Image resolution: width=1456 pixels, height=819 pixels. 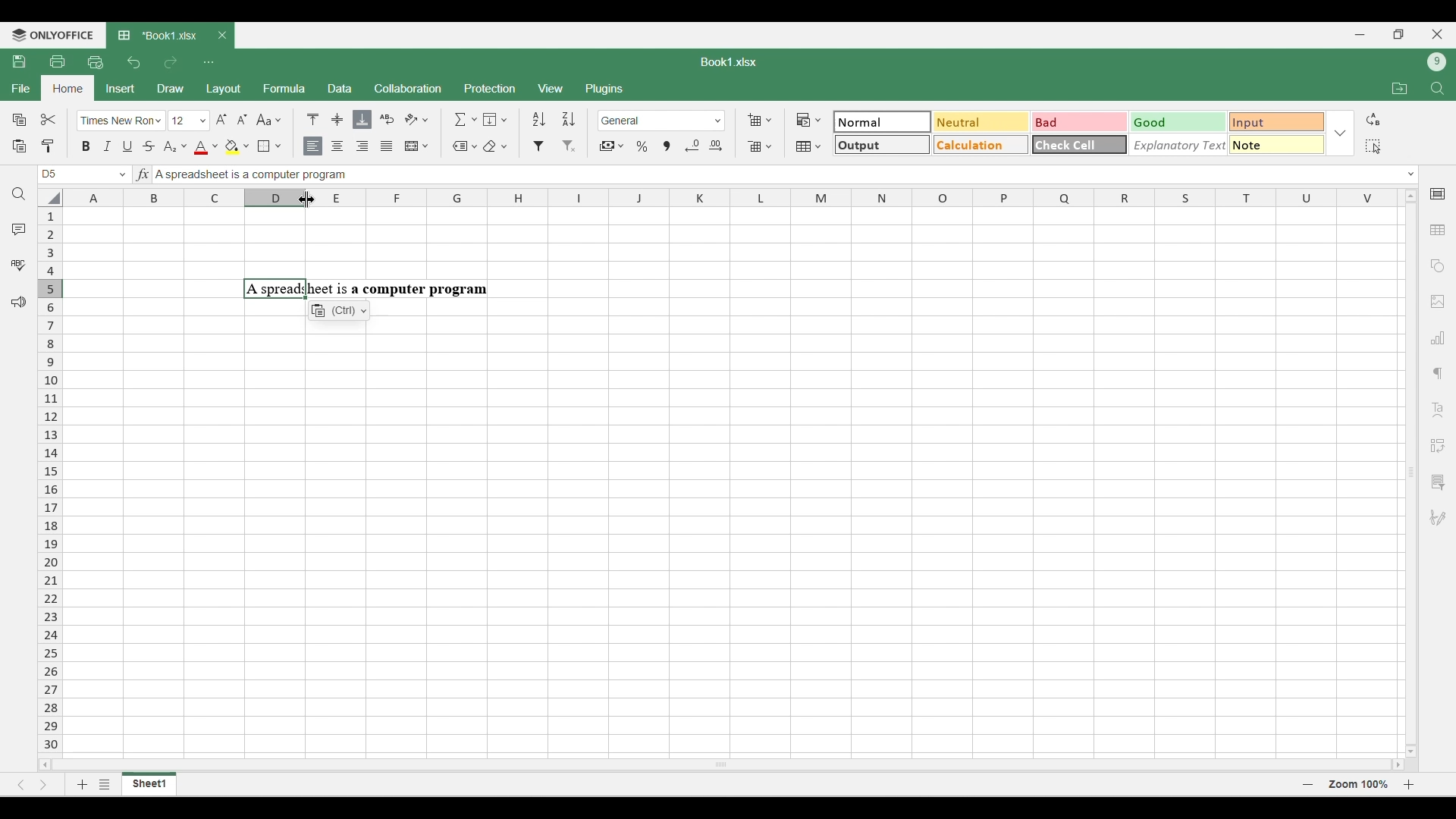 I want to click on Horizontal slide bar, so click(x=722, y=762).